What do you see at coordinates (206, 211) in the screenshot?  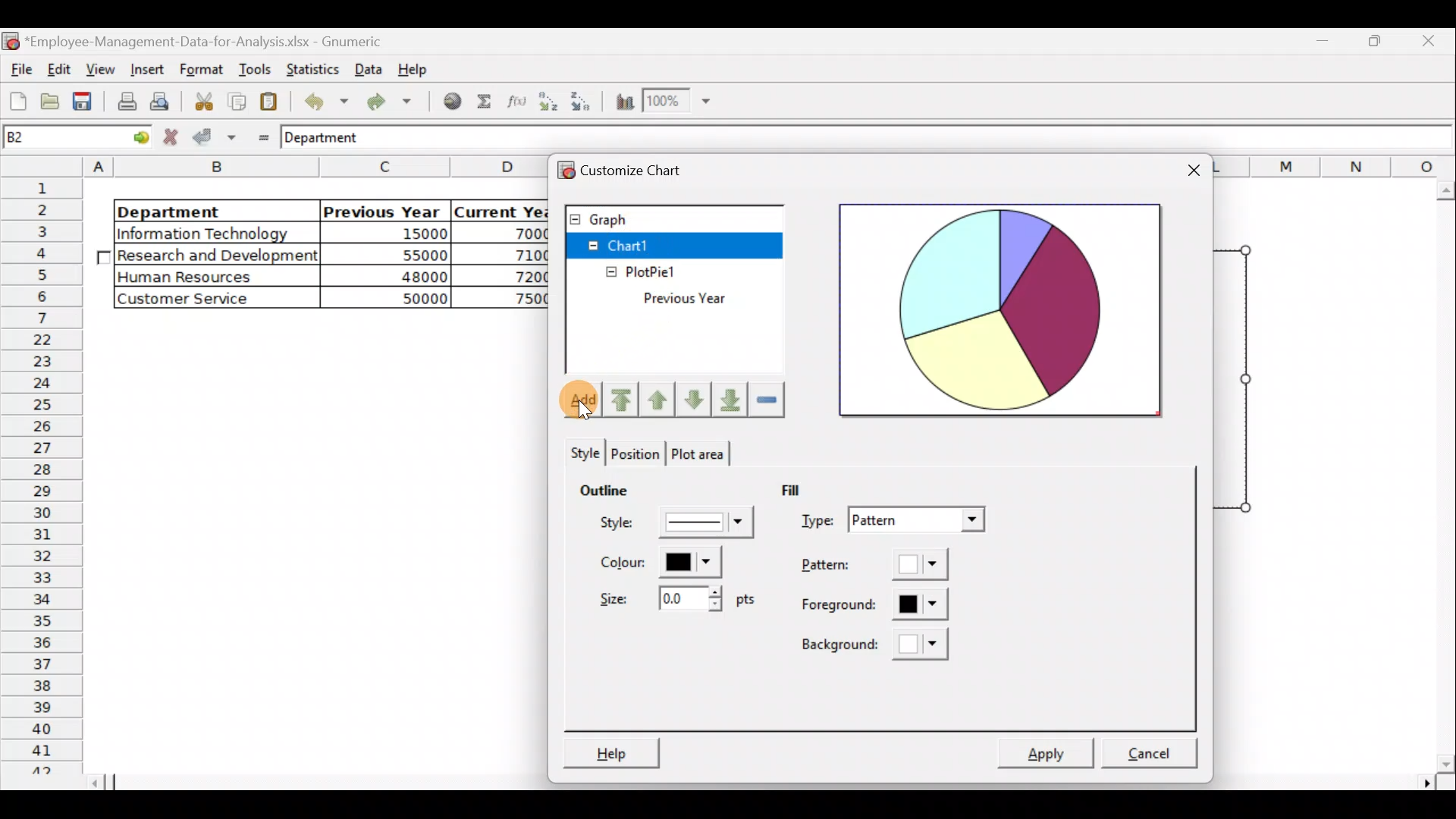 I see `Department` at bounding box center [206, 211].